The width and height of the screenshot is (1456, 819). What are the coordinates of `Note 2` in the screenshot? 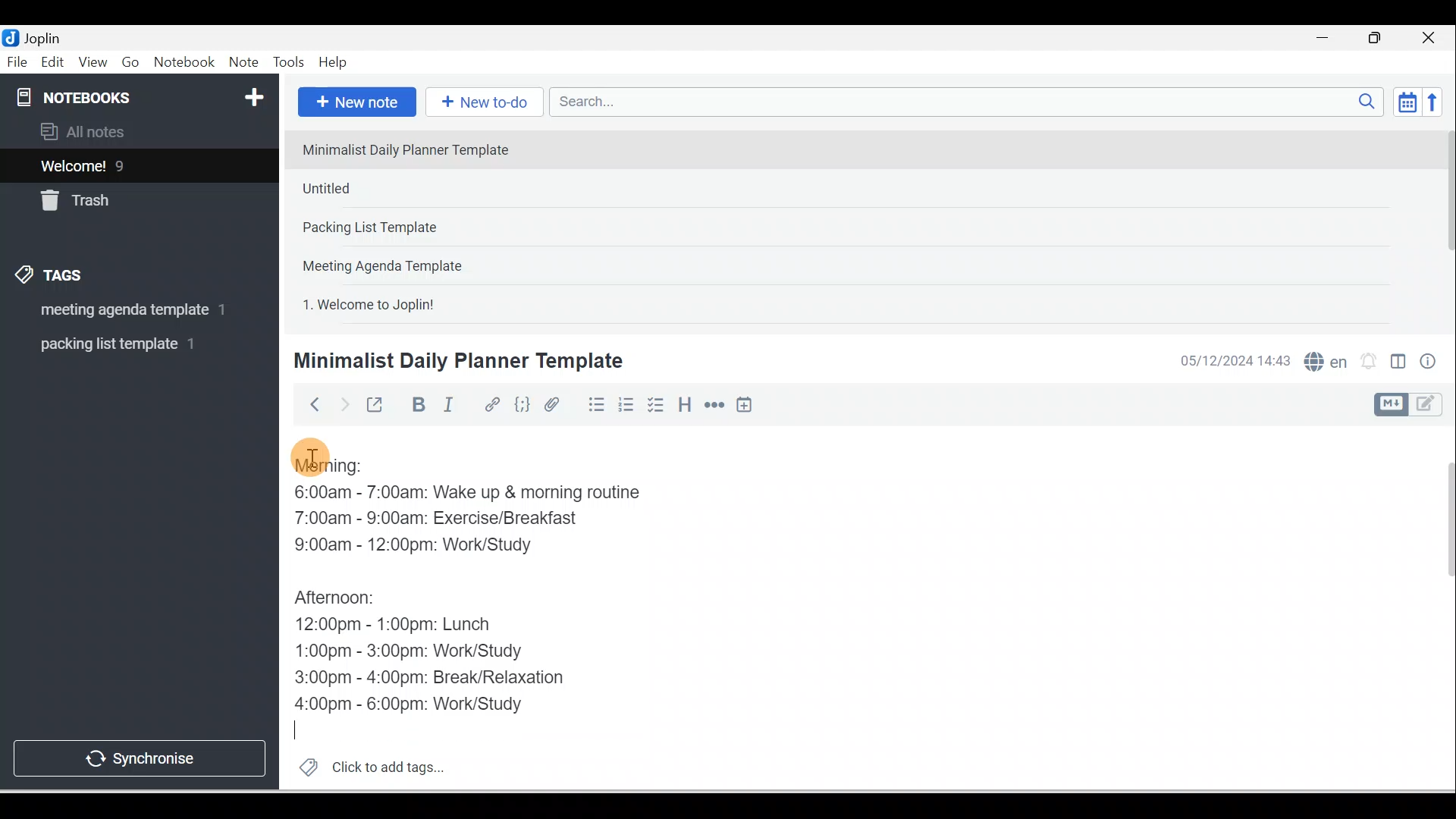 It's located at (401, 188).